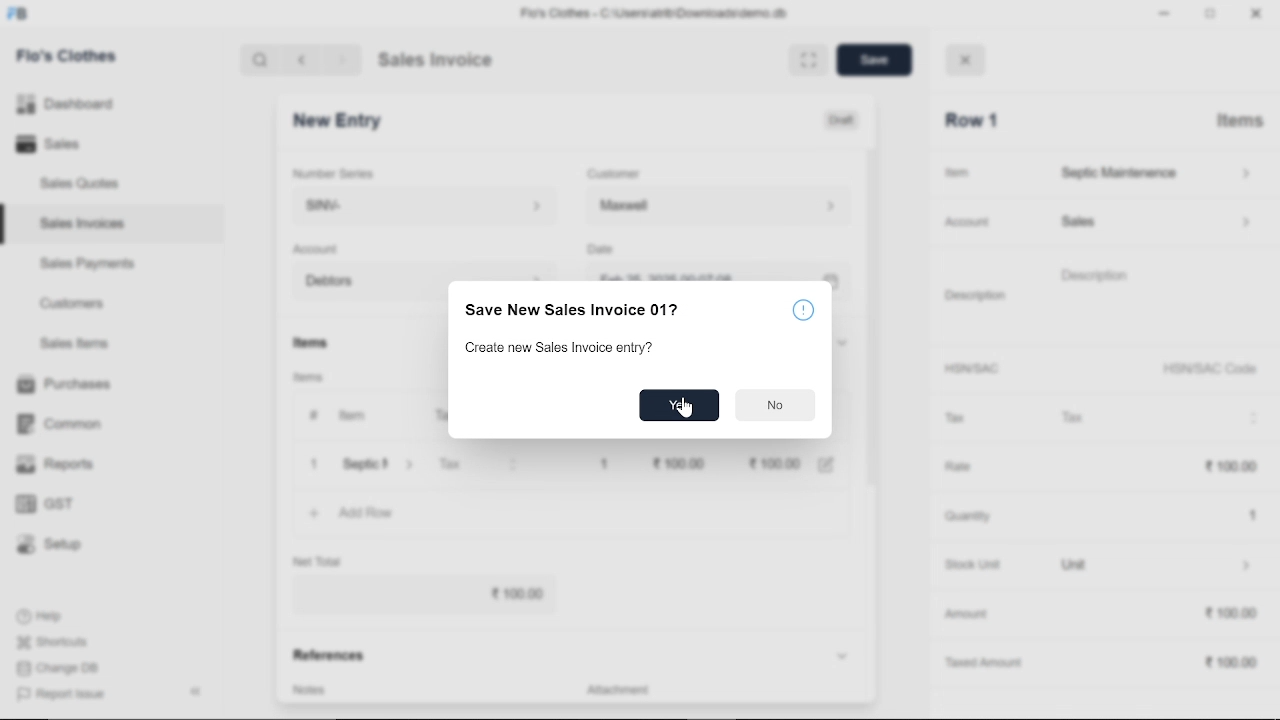  What do you see at coordinates (805, 309) in the screenshot?
I see `info` at bounding box center [805, 309].